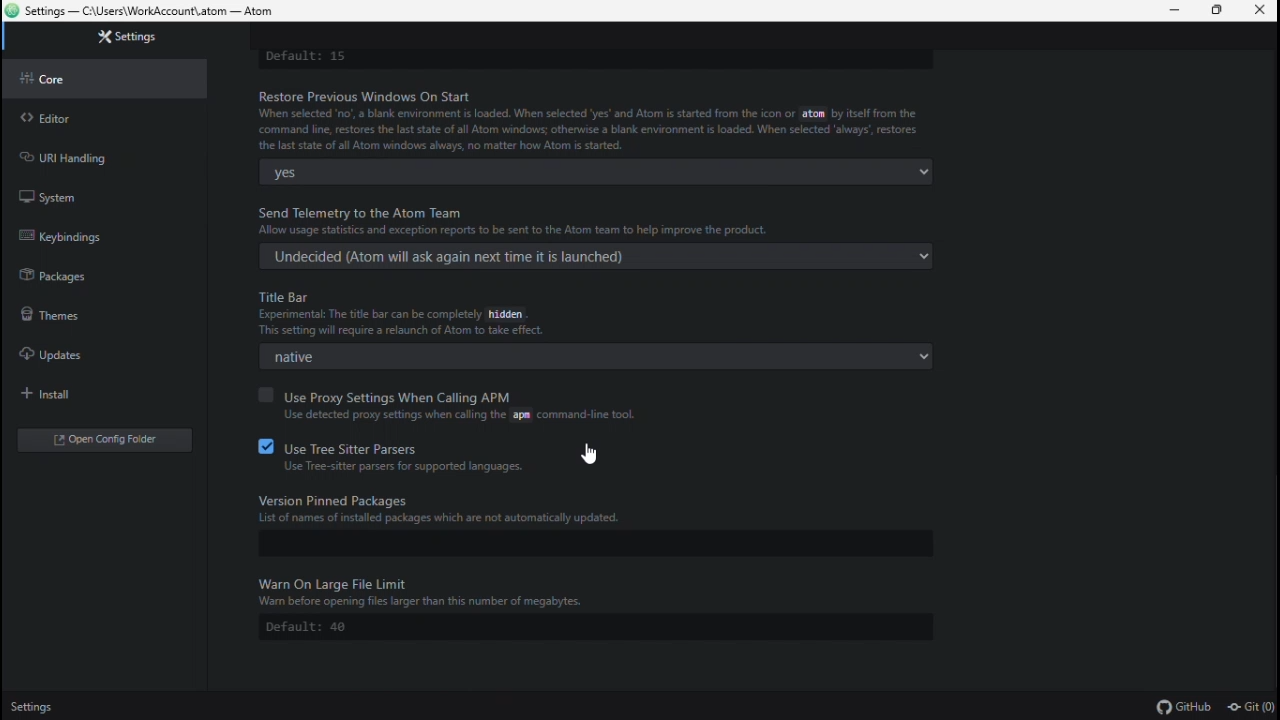  I want to click on themes, so click(83, 316).